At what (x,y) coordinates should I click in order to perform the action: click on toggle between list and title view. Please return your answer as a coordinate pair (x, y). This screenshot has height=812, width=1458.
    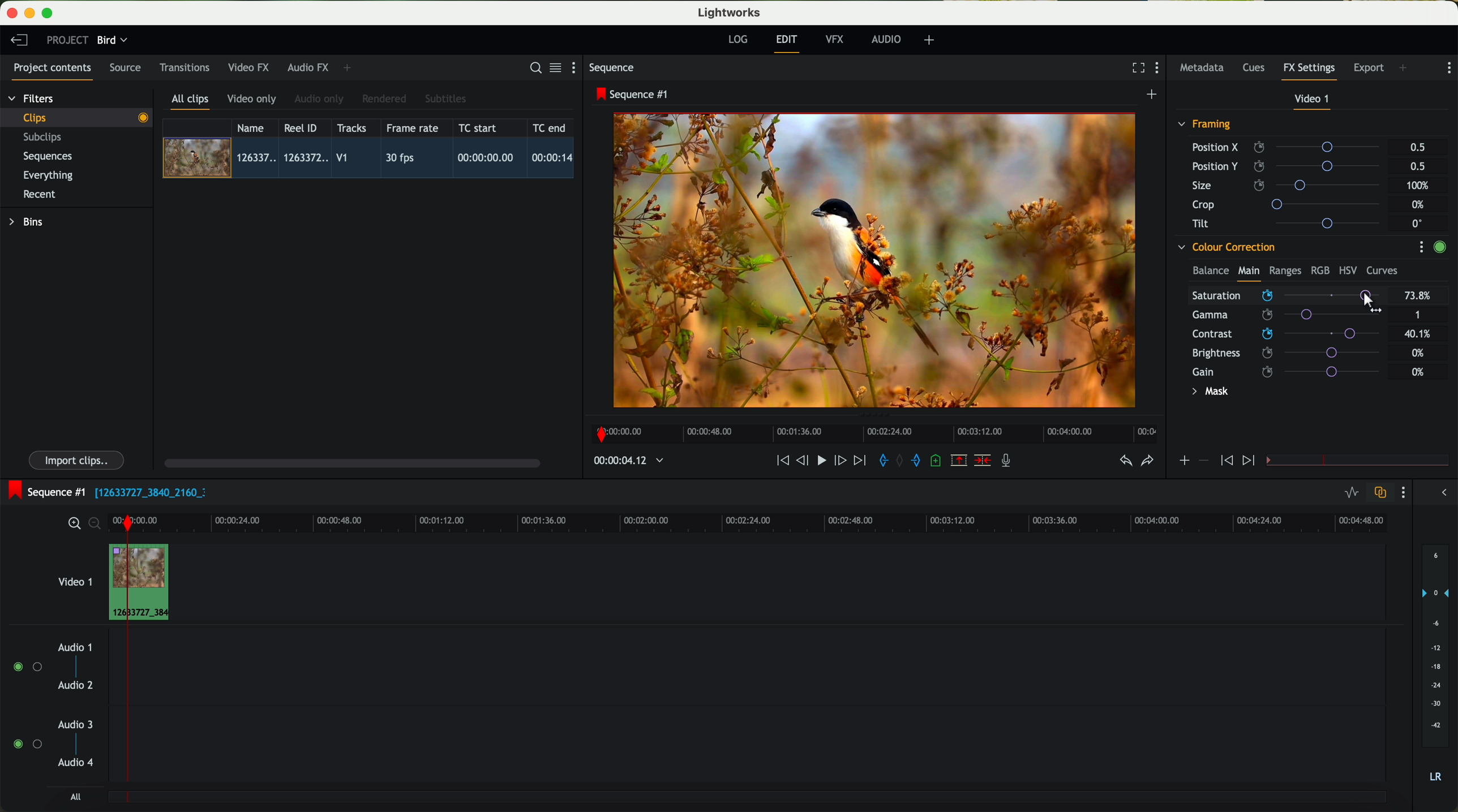
    Looking at the image, I should click on (554, 67).